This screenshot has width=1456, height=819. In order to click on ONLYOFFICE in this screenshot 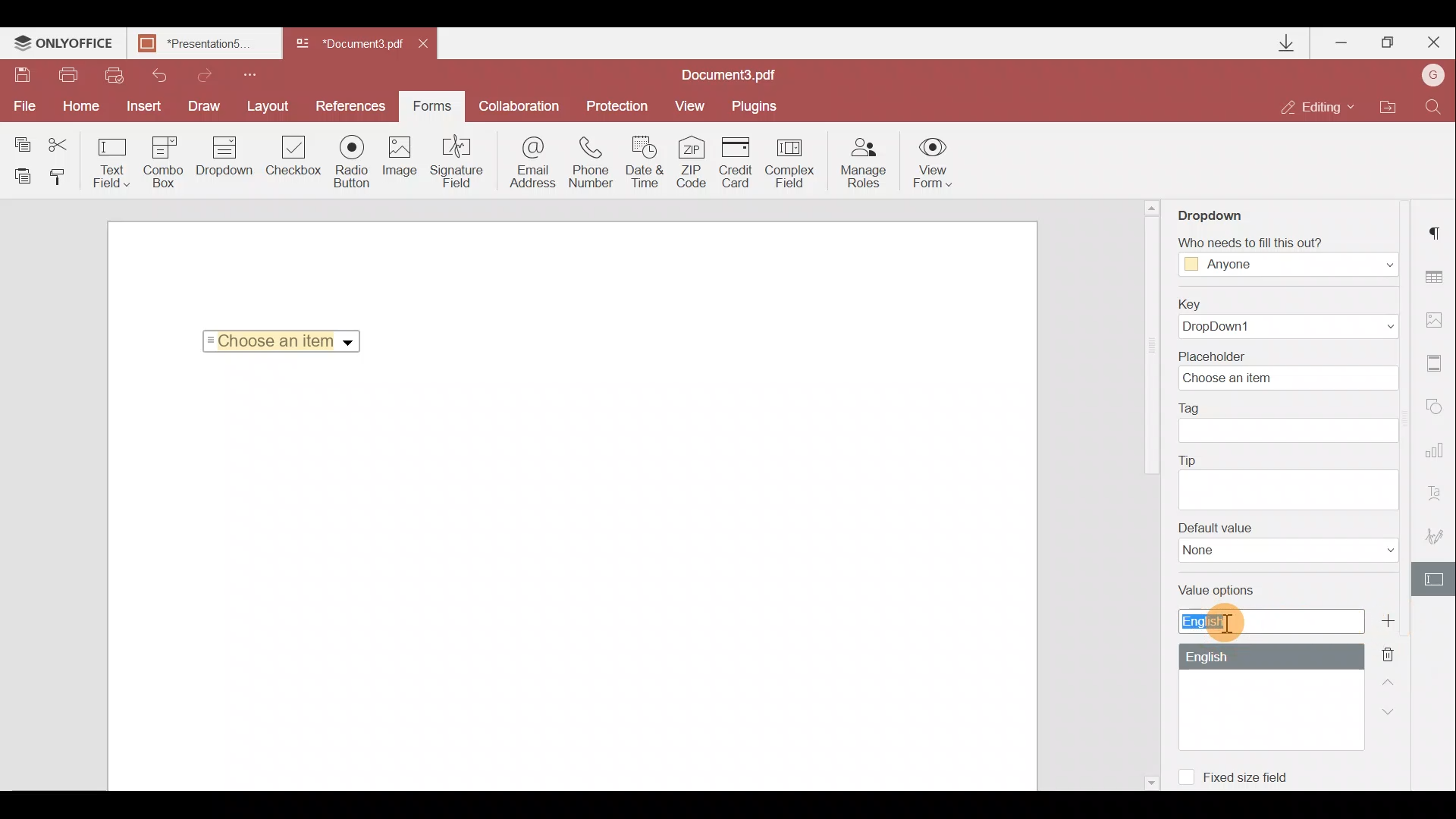, I will do `click(64, 45)`.